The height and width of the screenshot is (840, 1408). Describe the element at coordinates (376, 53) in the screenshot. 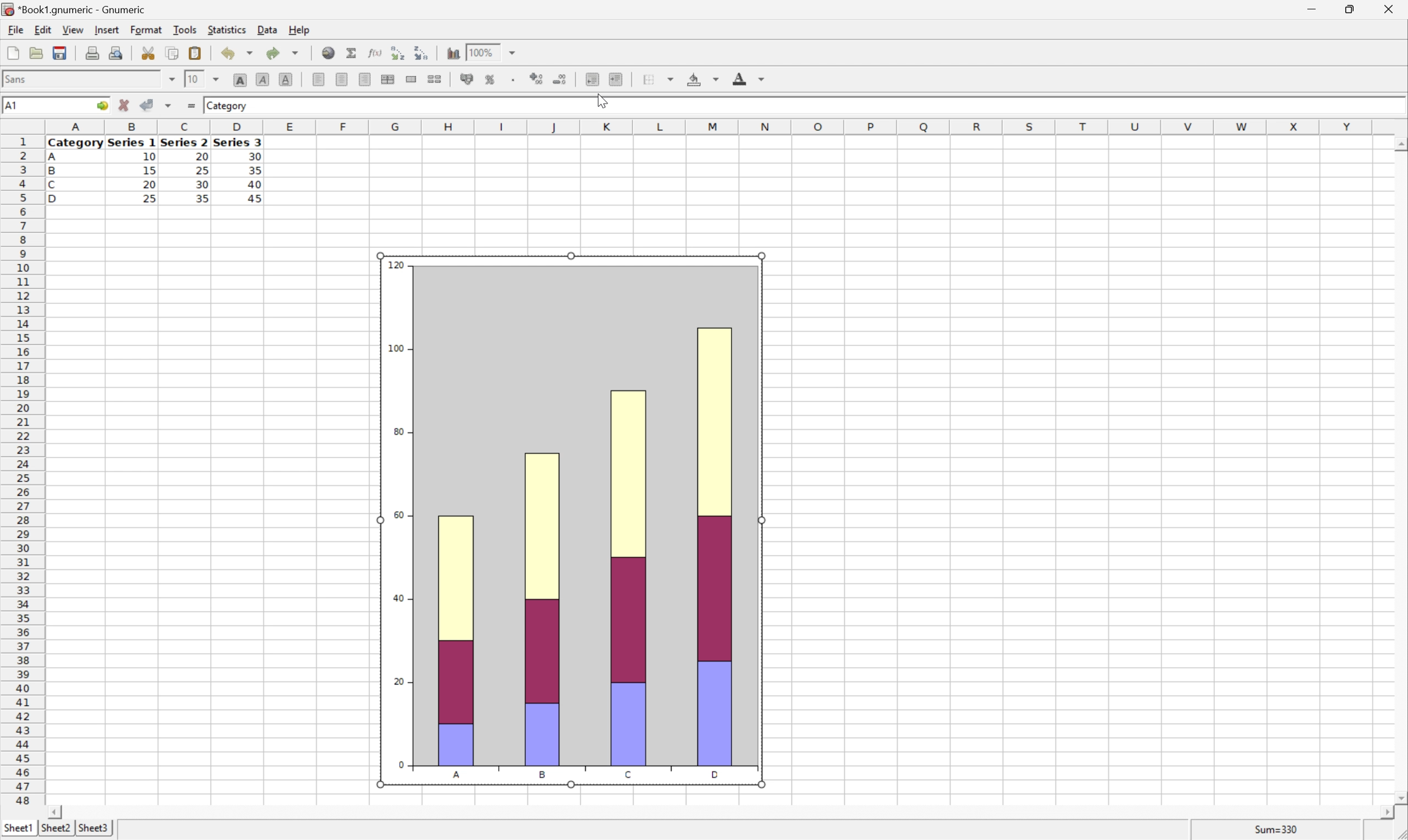

I see `Edit function in current cell` at that location.